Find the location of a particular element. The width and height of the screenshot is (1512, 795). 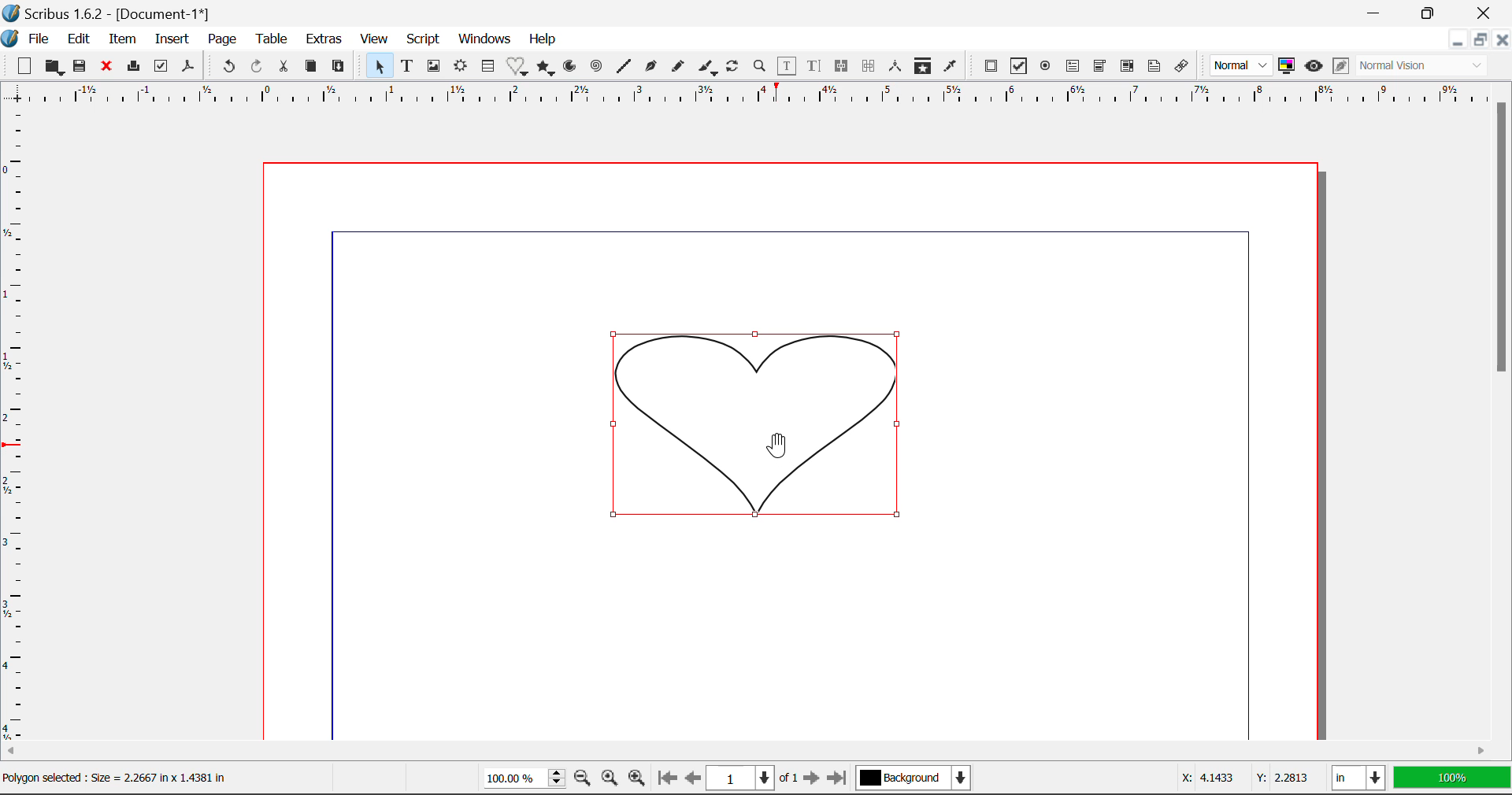

Cursor is located at coordinates (778, 445).